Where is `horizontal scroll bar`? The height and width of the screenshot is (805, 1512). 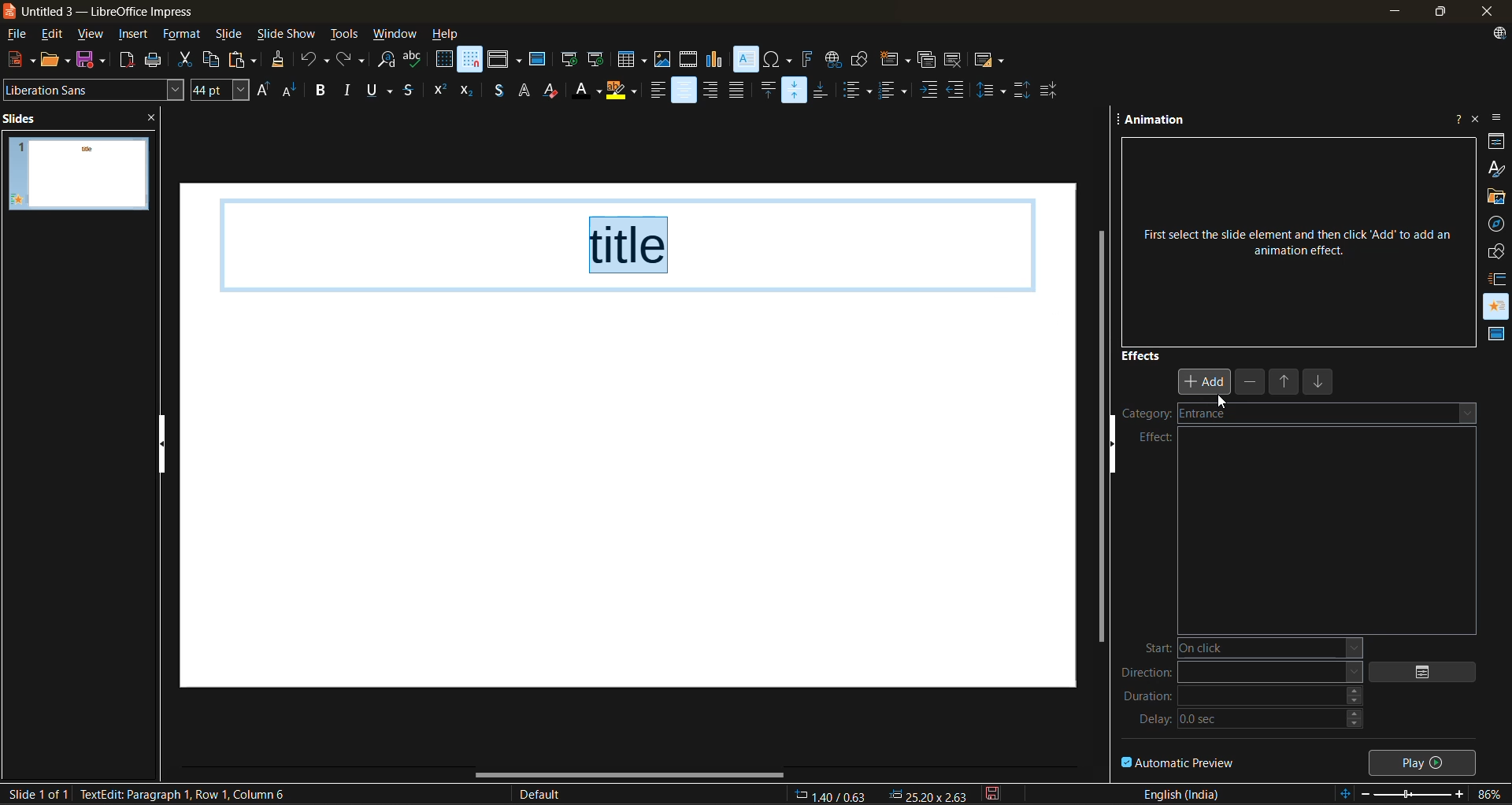 horizontal scroll bar is located at coordinates (631, 774).